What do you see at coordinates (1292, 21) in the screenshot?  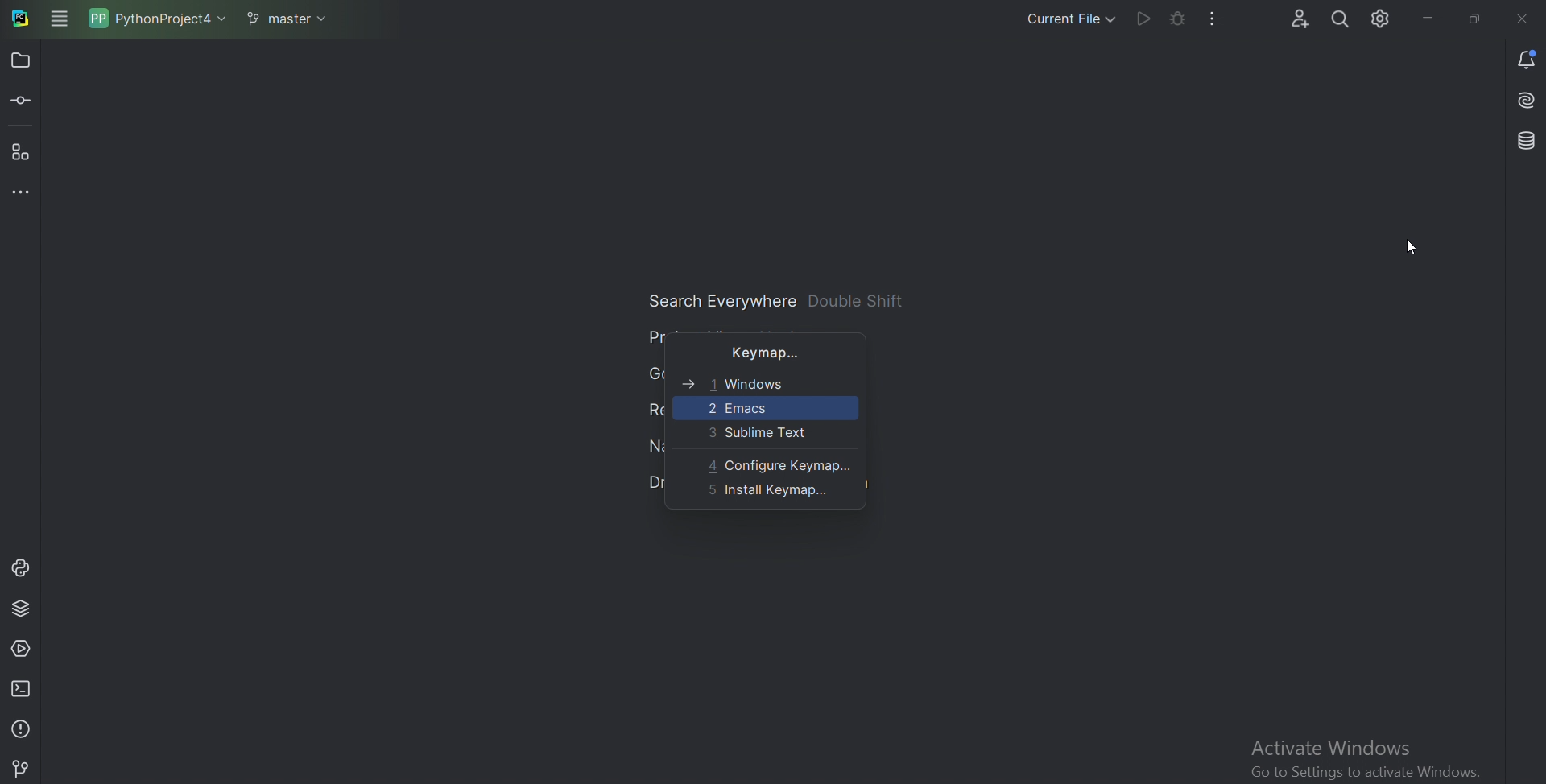 I see `Code with me` at bounding box center [1292, 21].